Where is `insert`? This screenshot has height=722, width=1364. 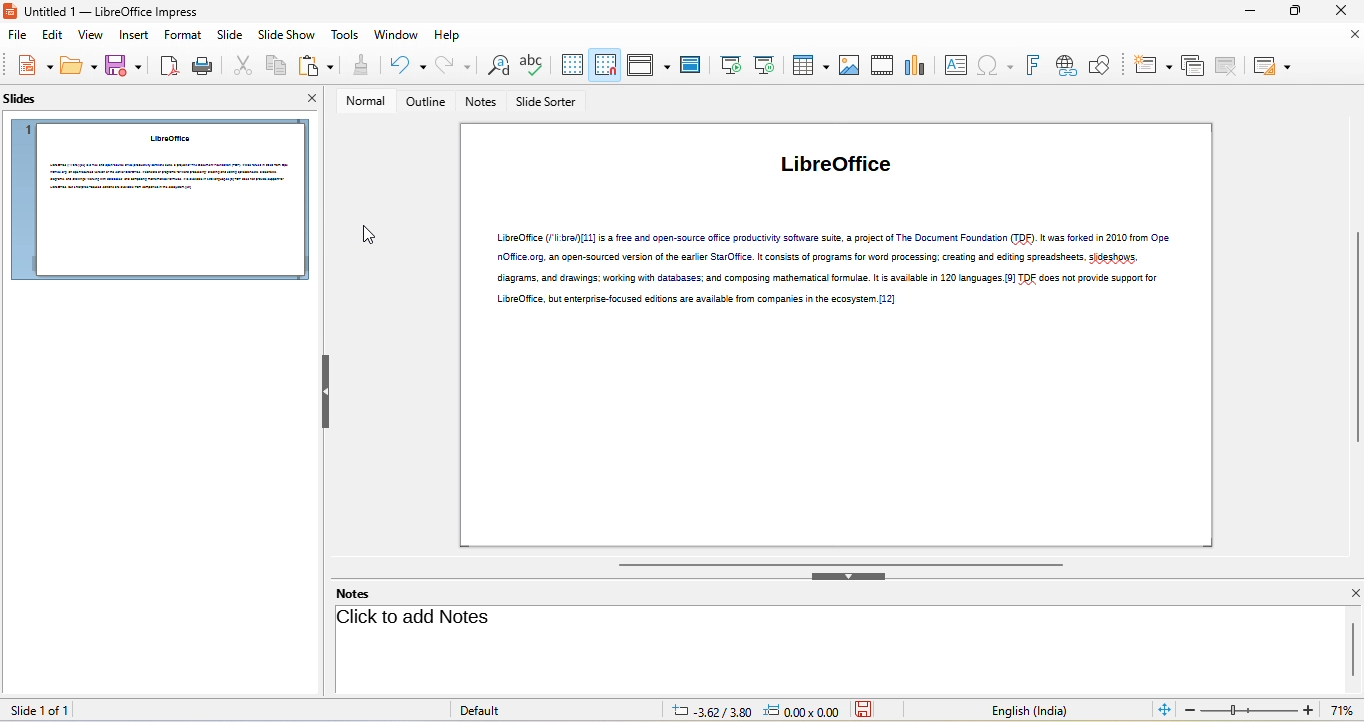 insert is located at coordinates (132, 36).